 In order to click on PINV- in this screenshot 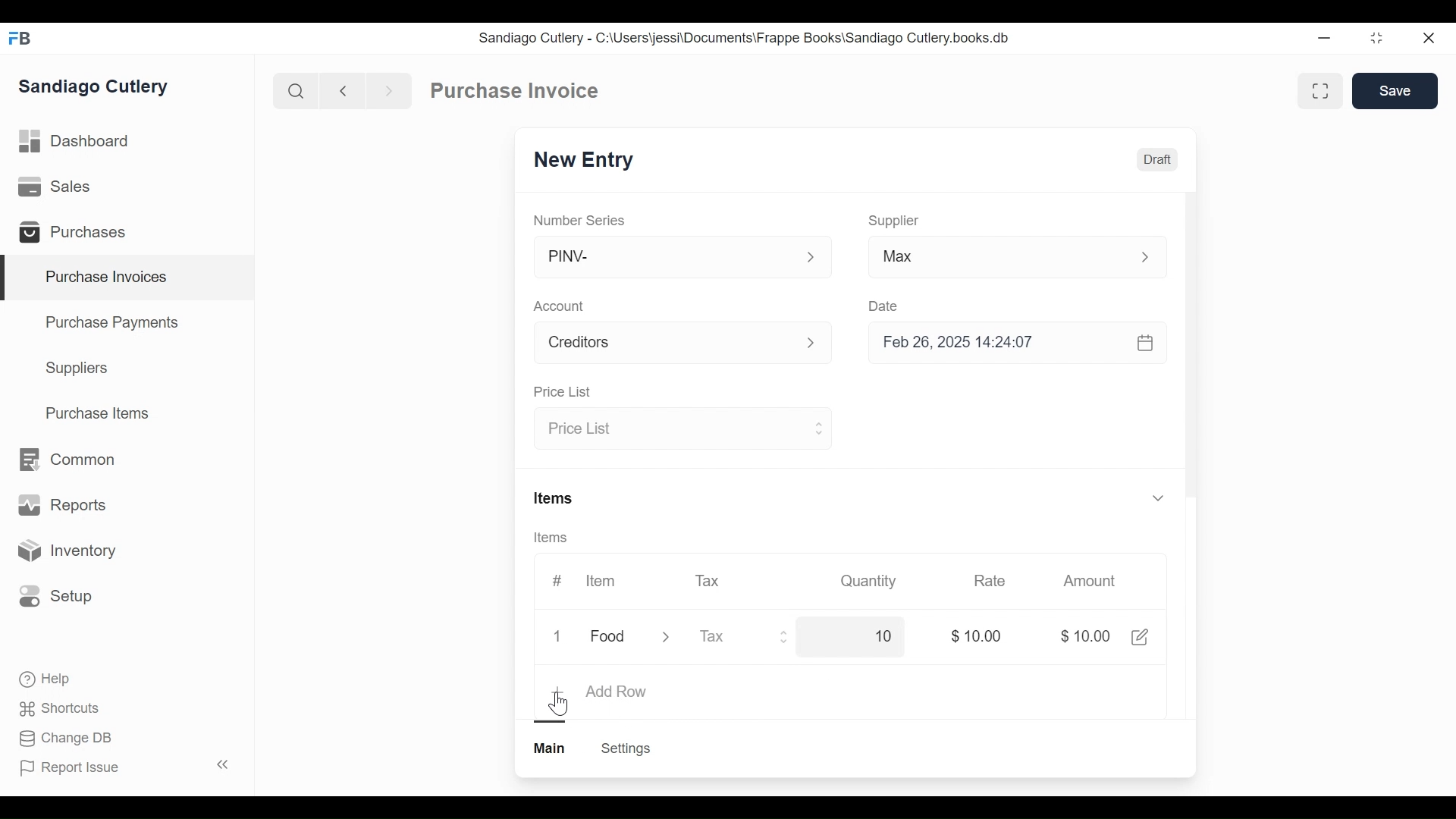, I will do `click(664, 257)`.